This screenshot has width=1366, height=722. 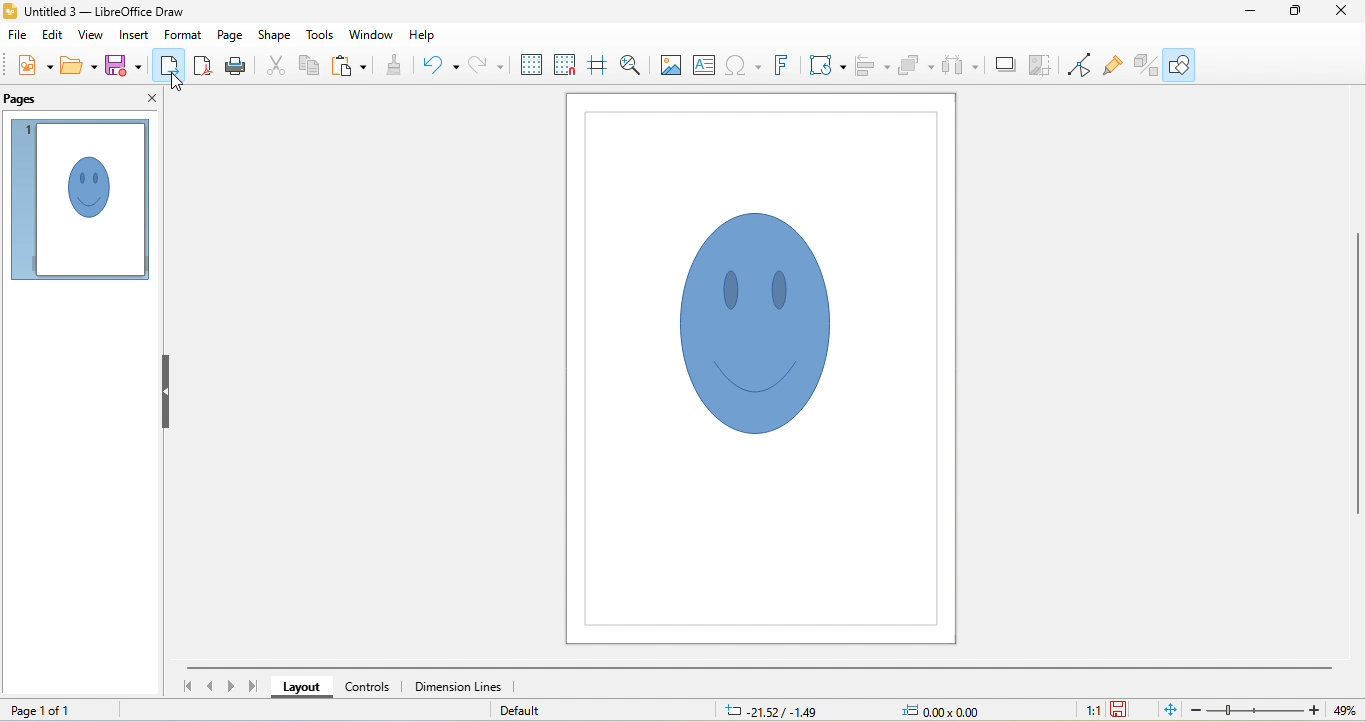 I want to click on page, so click(x=228, y=35).